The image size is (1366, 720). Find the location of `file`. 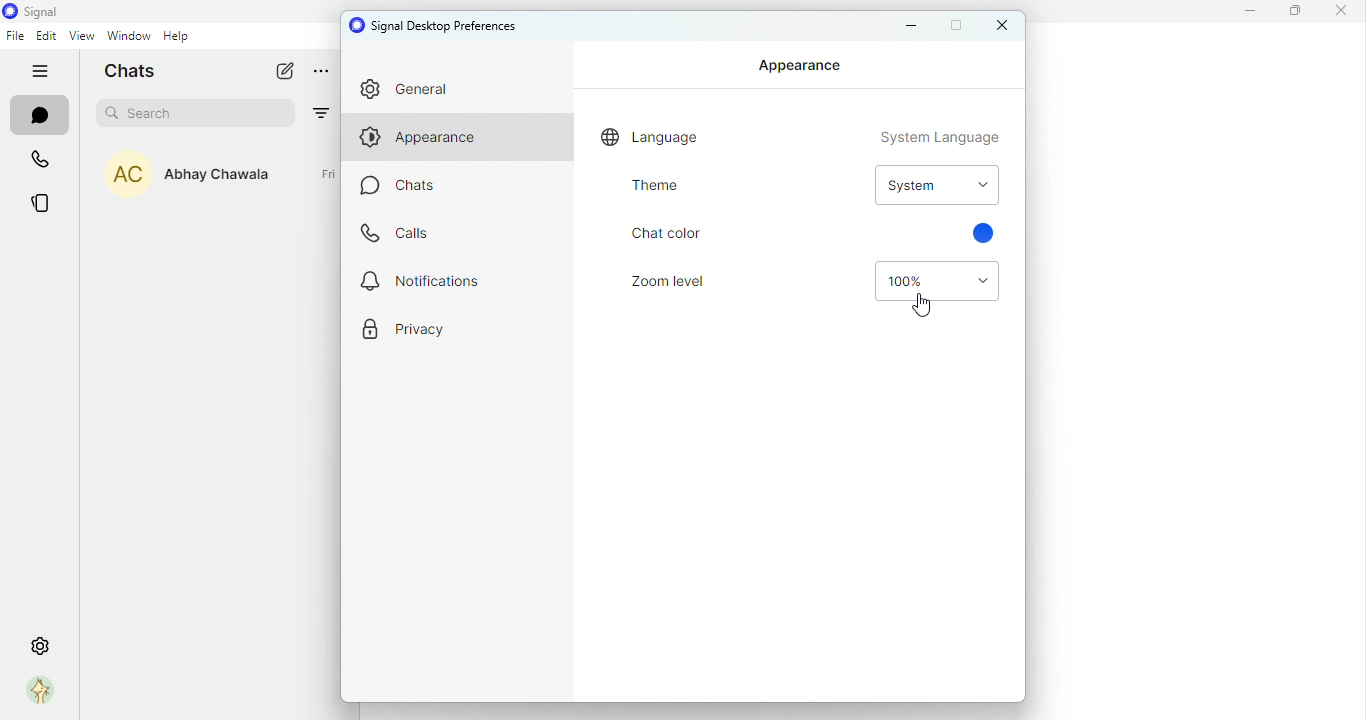

file is located at coordinates (19, 37).